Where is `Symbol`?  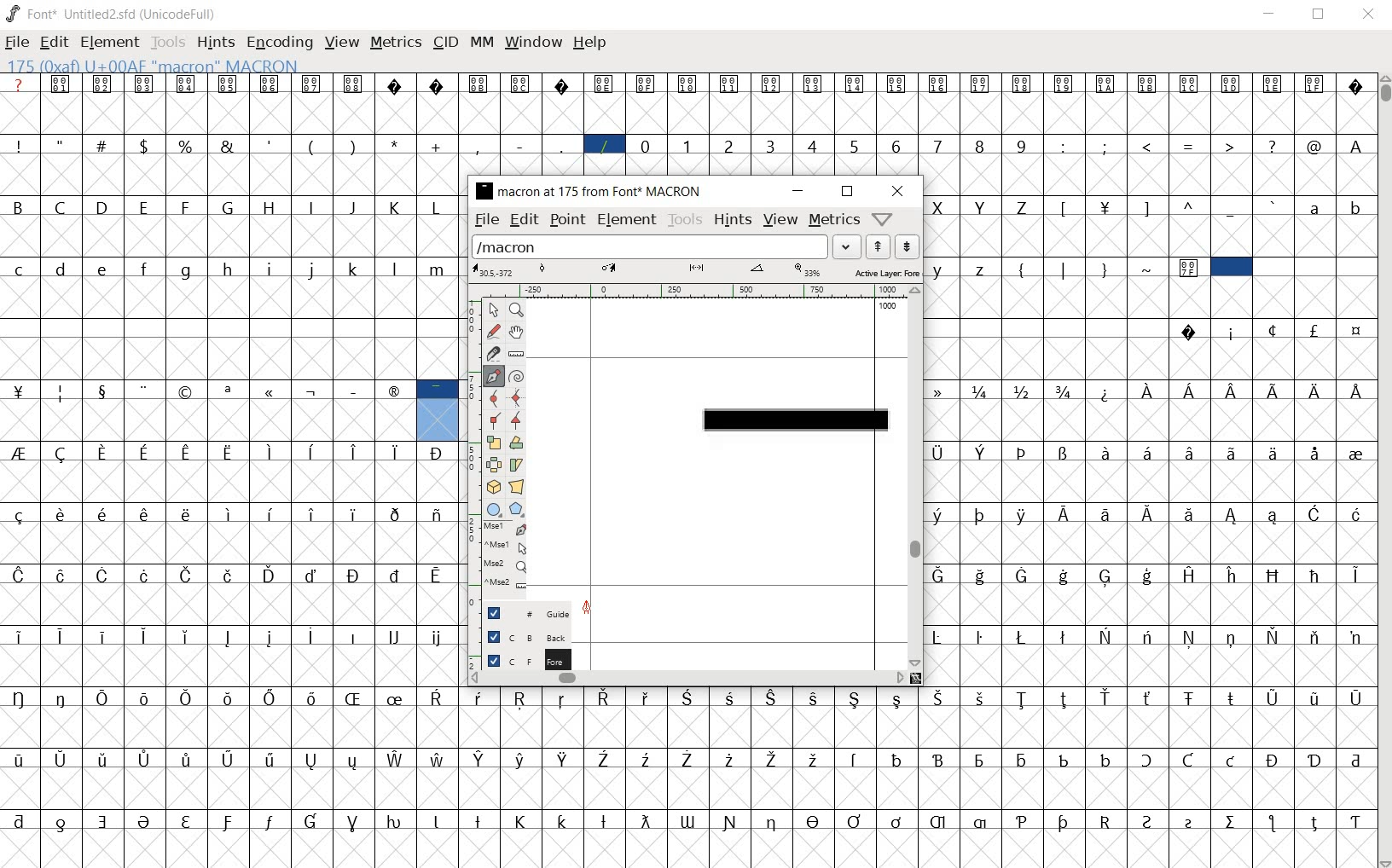 Symbol is located at coordinates (230, 638).